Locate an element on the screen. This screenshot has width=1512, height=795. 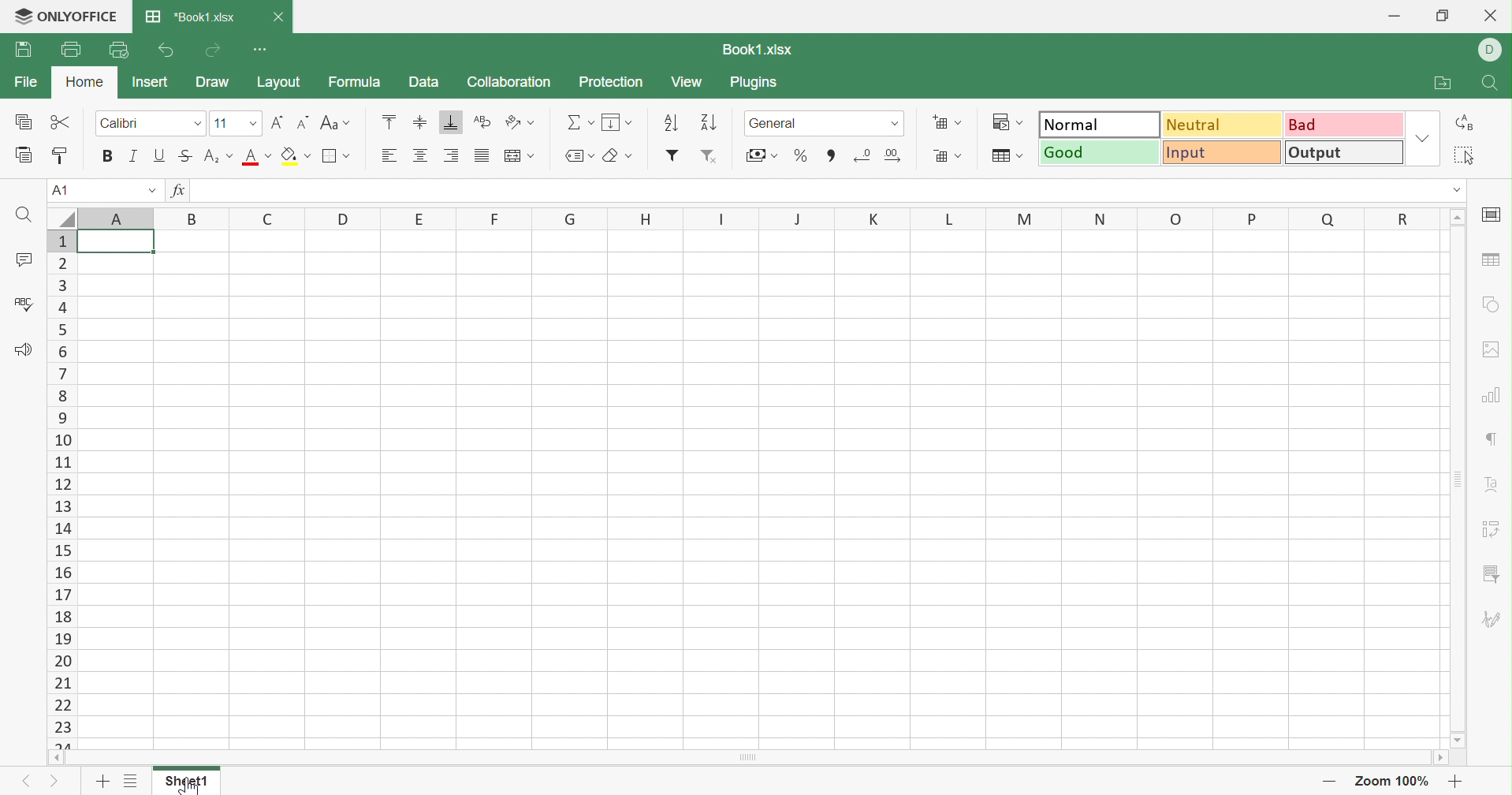
Neutral is located at coordinates (1222, 125).